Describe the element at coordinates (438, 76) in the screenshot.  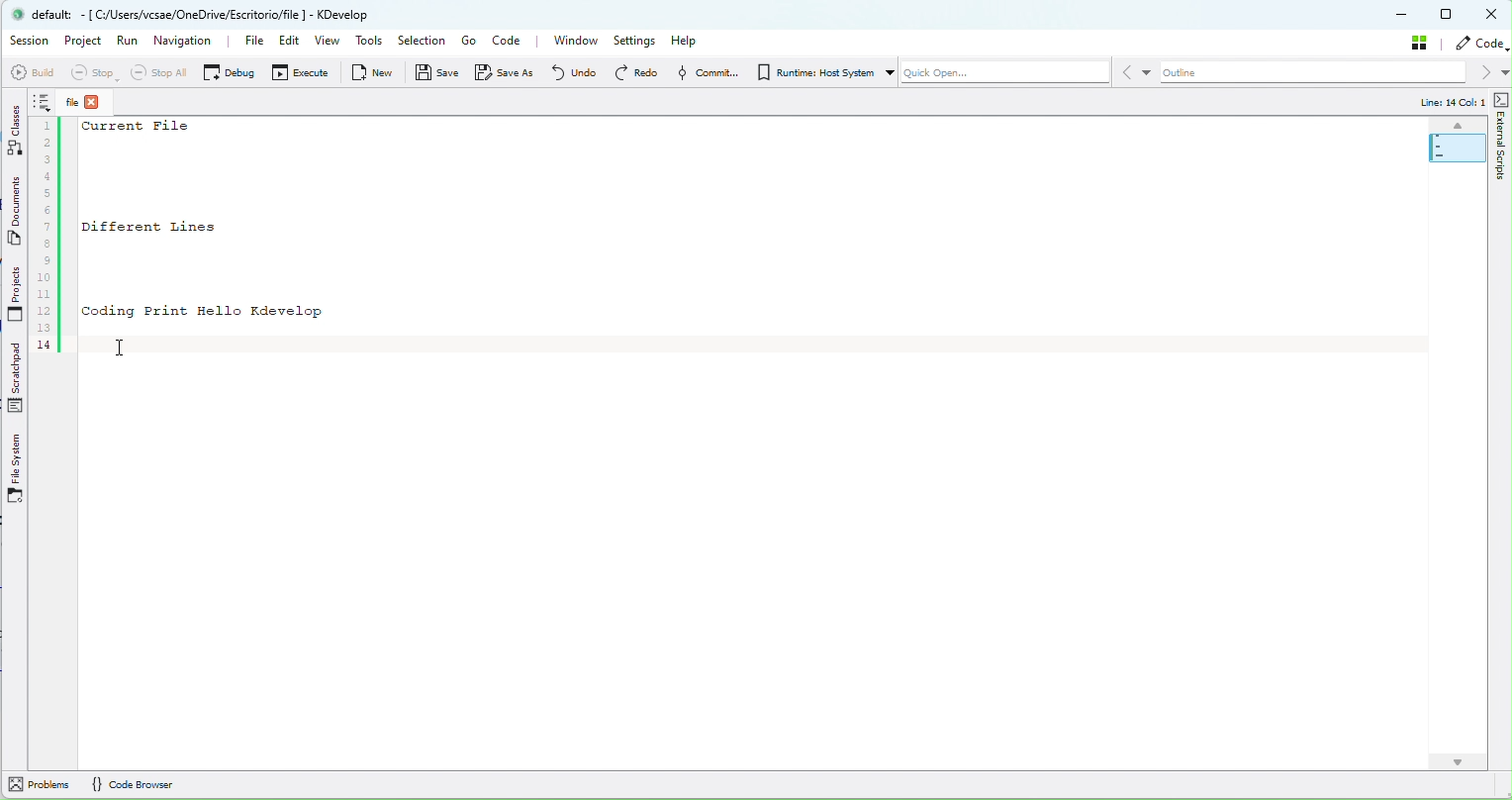
I see `Save` at that location.